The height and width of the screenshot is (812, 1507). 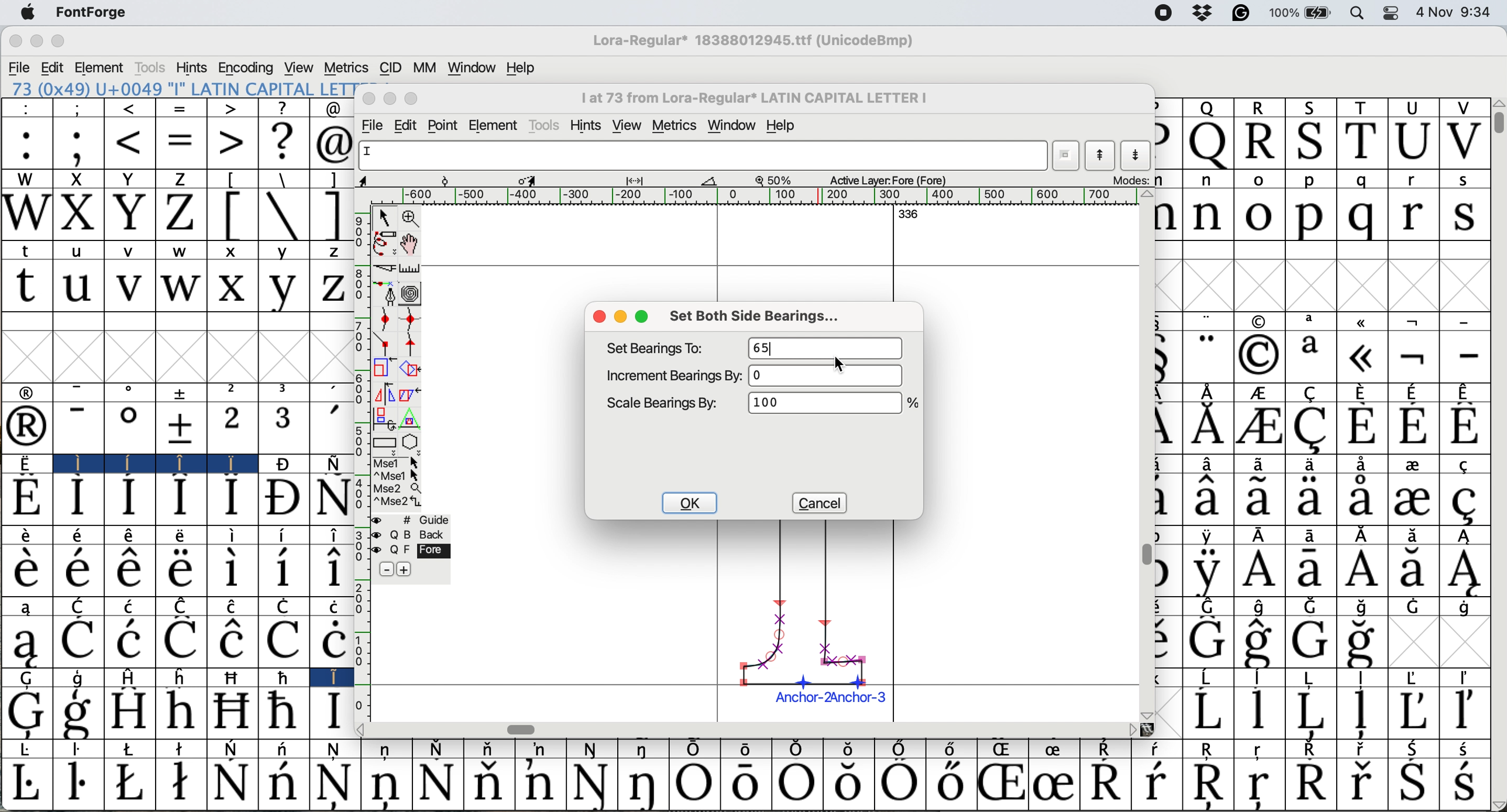 What do you see at coordinates (1108, 749) in the screenshot?
I see `Symbol` at bounding box center [1108, 749].